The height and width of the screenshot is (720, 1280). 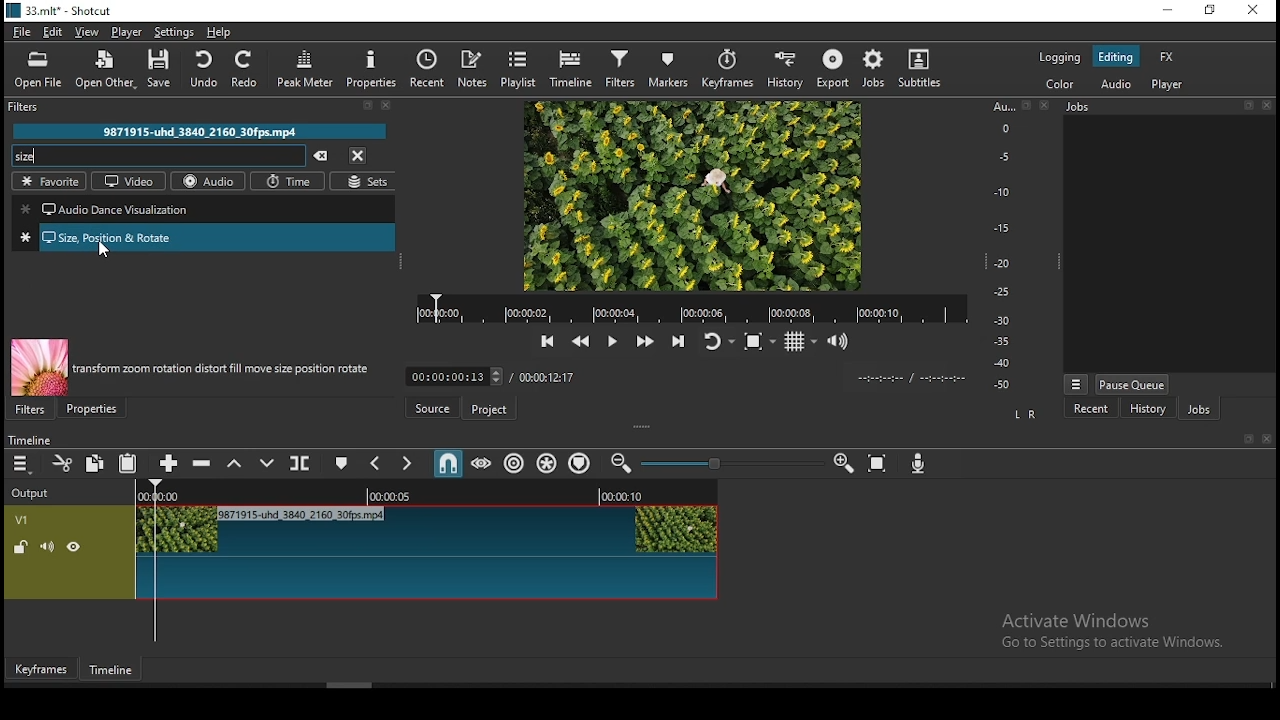 What do you see at coordinates (19, 31) in the screenshot?
I see `file` at bounding box center [19, 31].